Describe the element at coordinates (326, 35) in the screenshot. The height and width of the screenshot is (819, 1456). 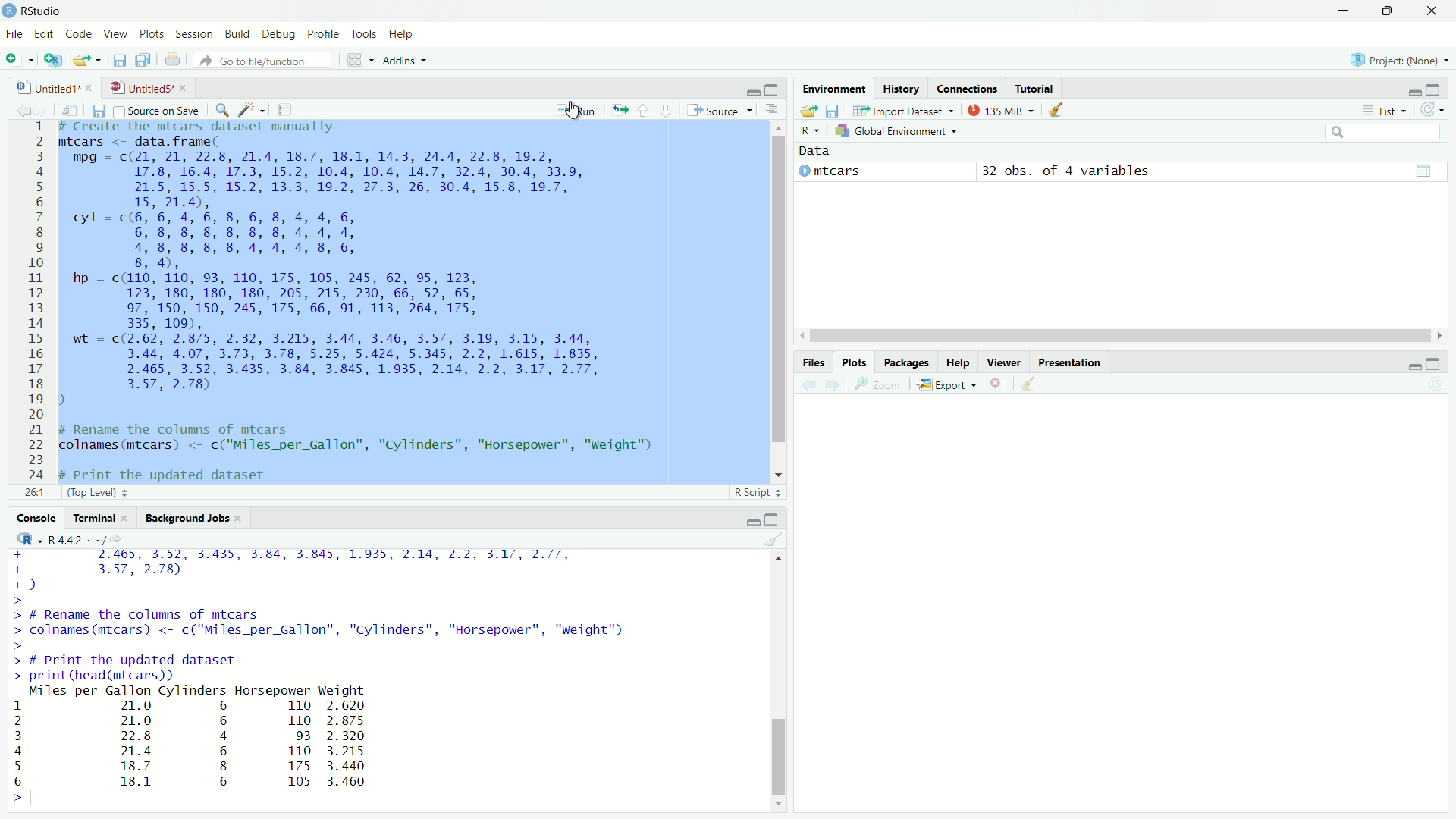
I see `Profile` at that location.